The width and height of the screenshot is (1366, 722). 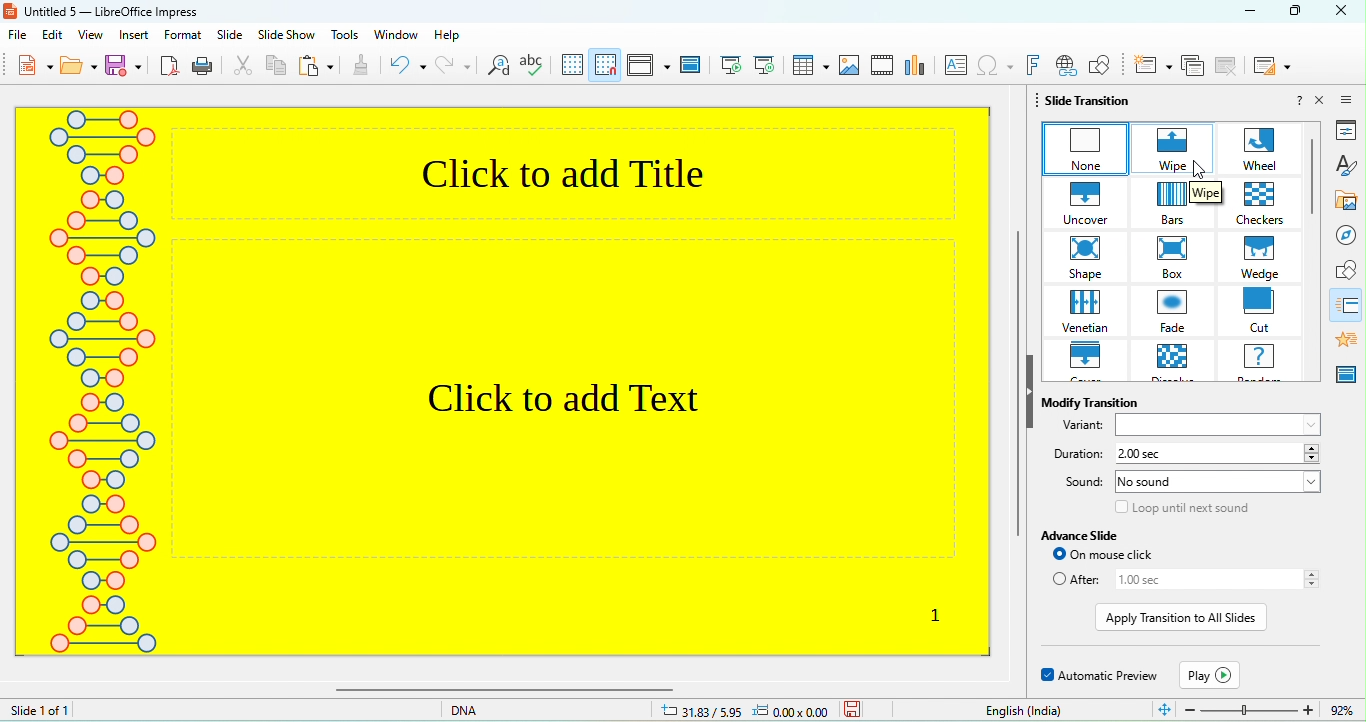 I want to click on help, so click(x=461, y=37).